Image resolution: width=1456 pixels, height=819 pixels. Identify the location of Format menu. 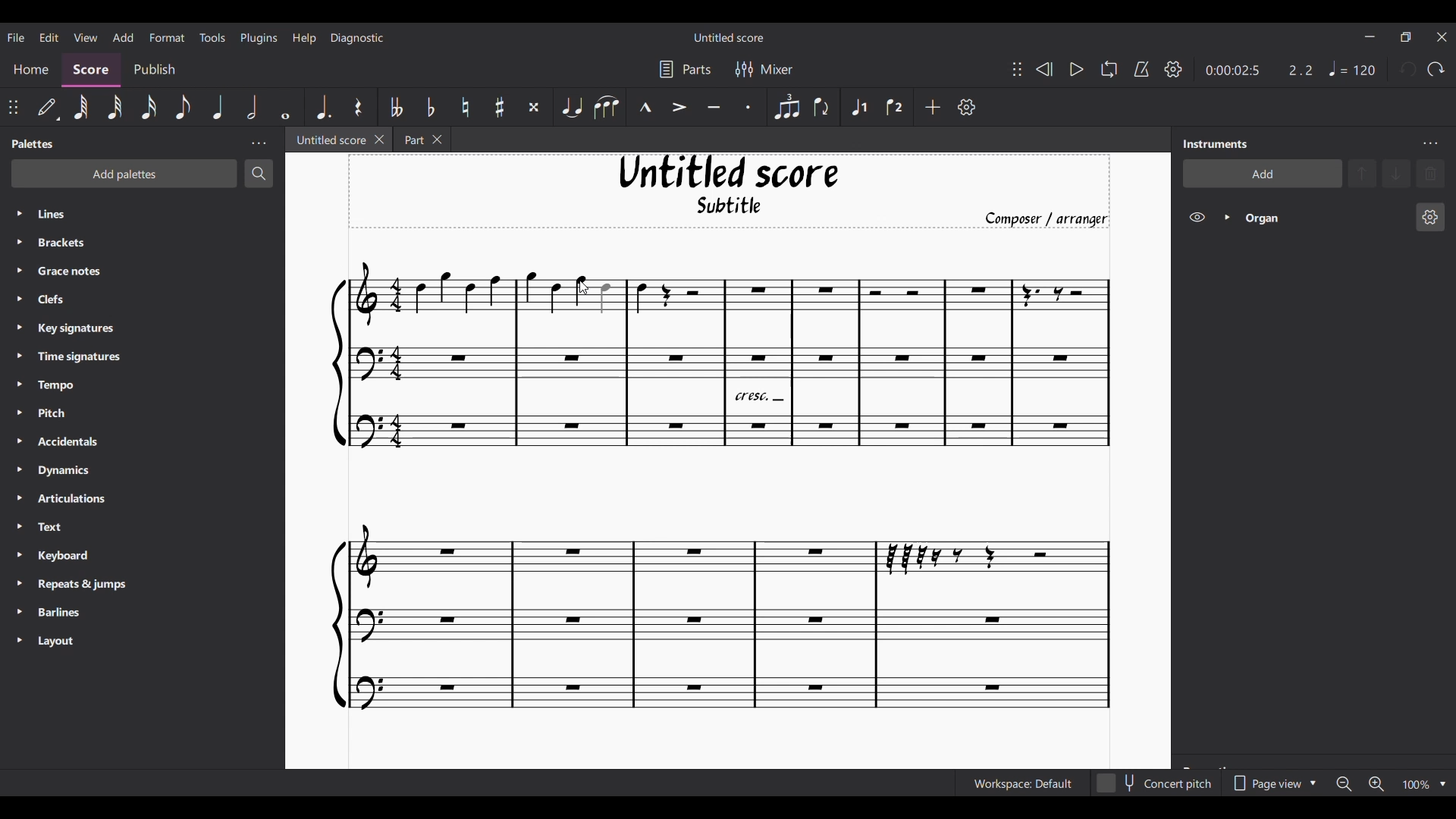
(168, 36).